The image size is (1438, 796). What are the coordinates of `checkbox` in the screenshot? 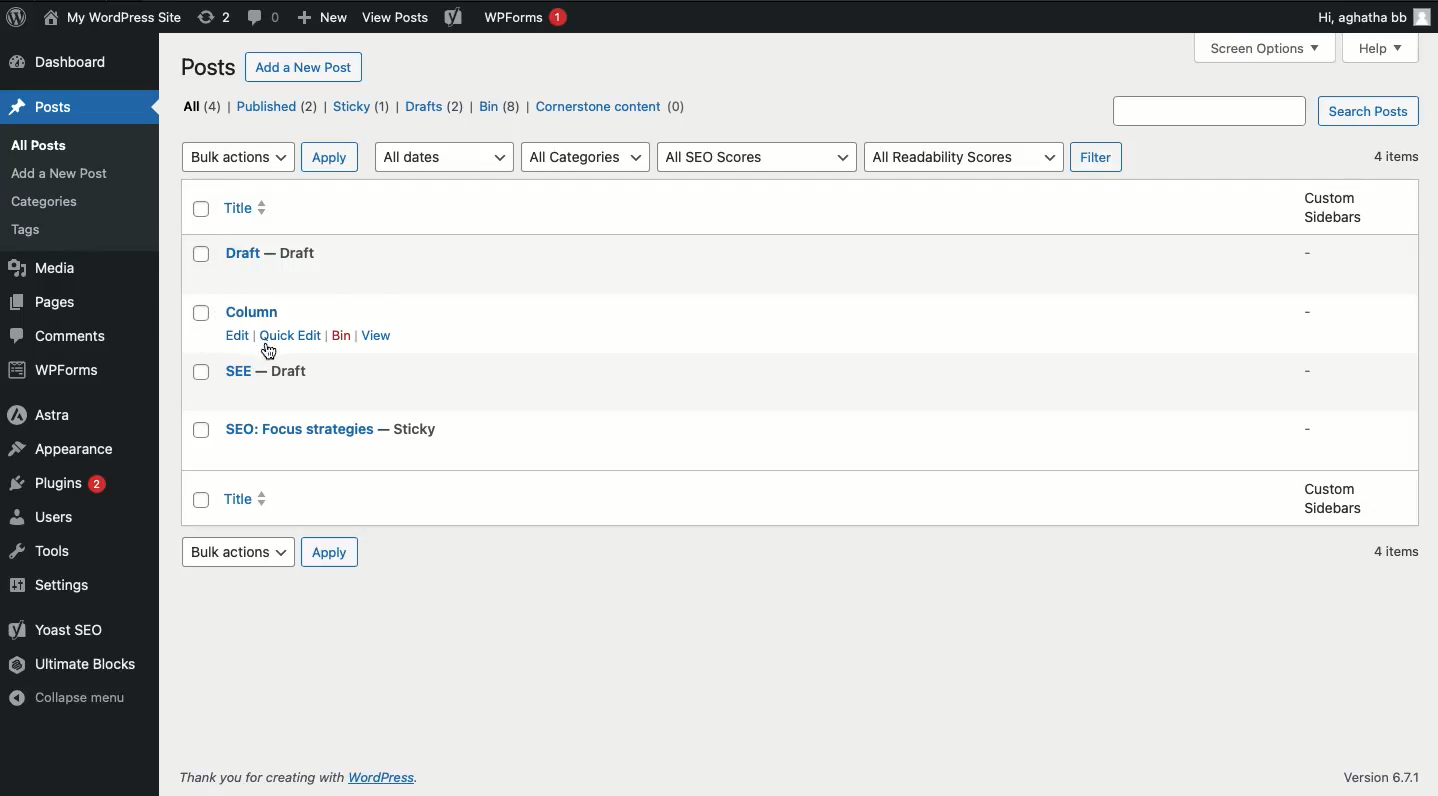 It's located at (201, 499).